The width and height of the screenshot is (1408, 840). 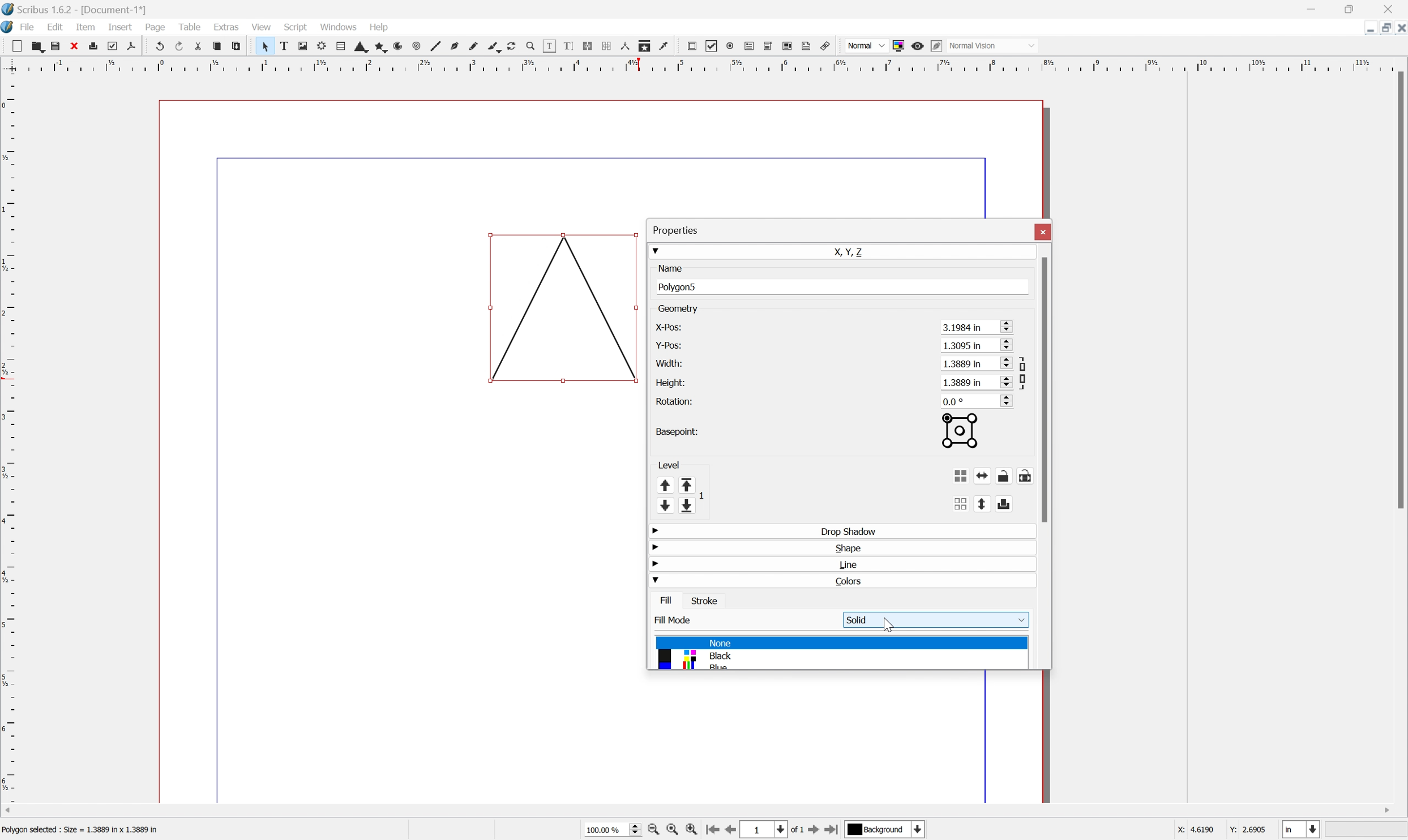 What do you see at coordinates (1368, 28) in the screenshot?
I see `Minimize` at bounding box center [1368, 28].